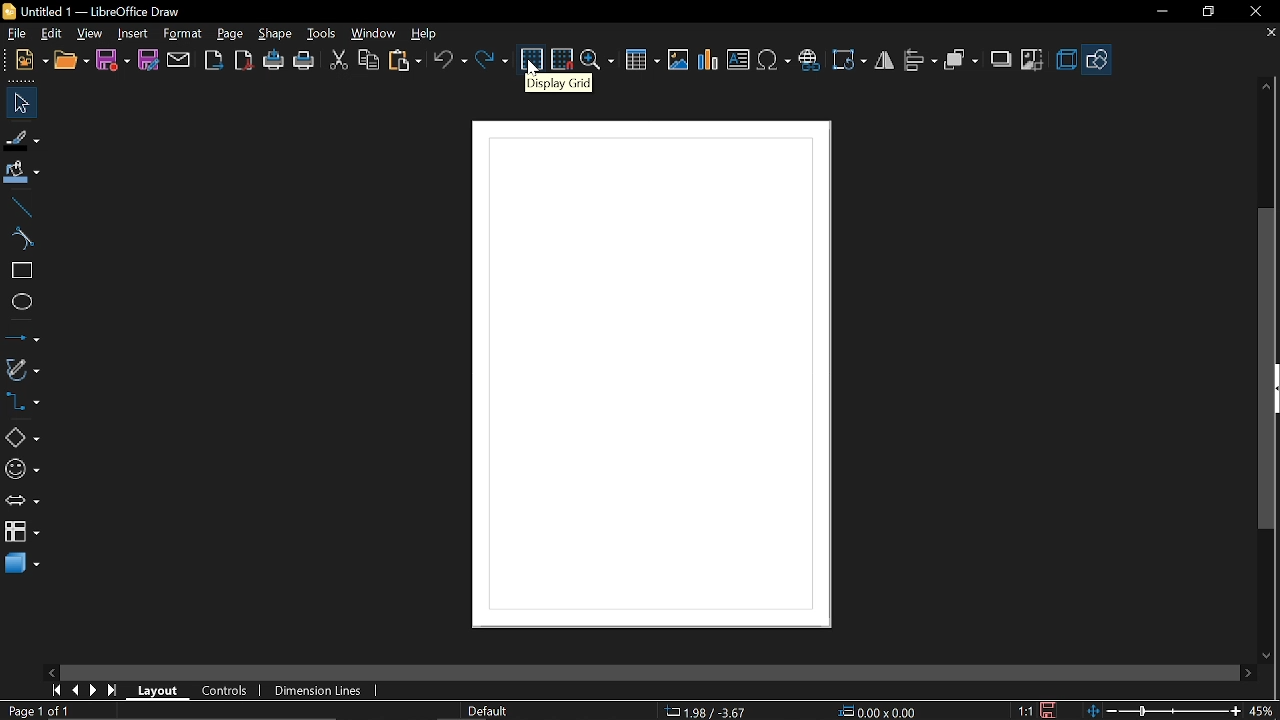 The height and width of the screenshot is (720, 1280). What do you see at coordinates (1246, 674) in the screenshot?
I see `move right` at bounding box center [1246, 674].